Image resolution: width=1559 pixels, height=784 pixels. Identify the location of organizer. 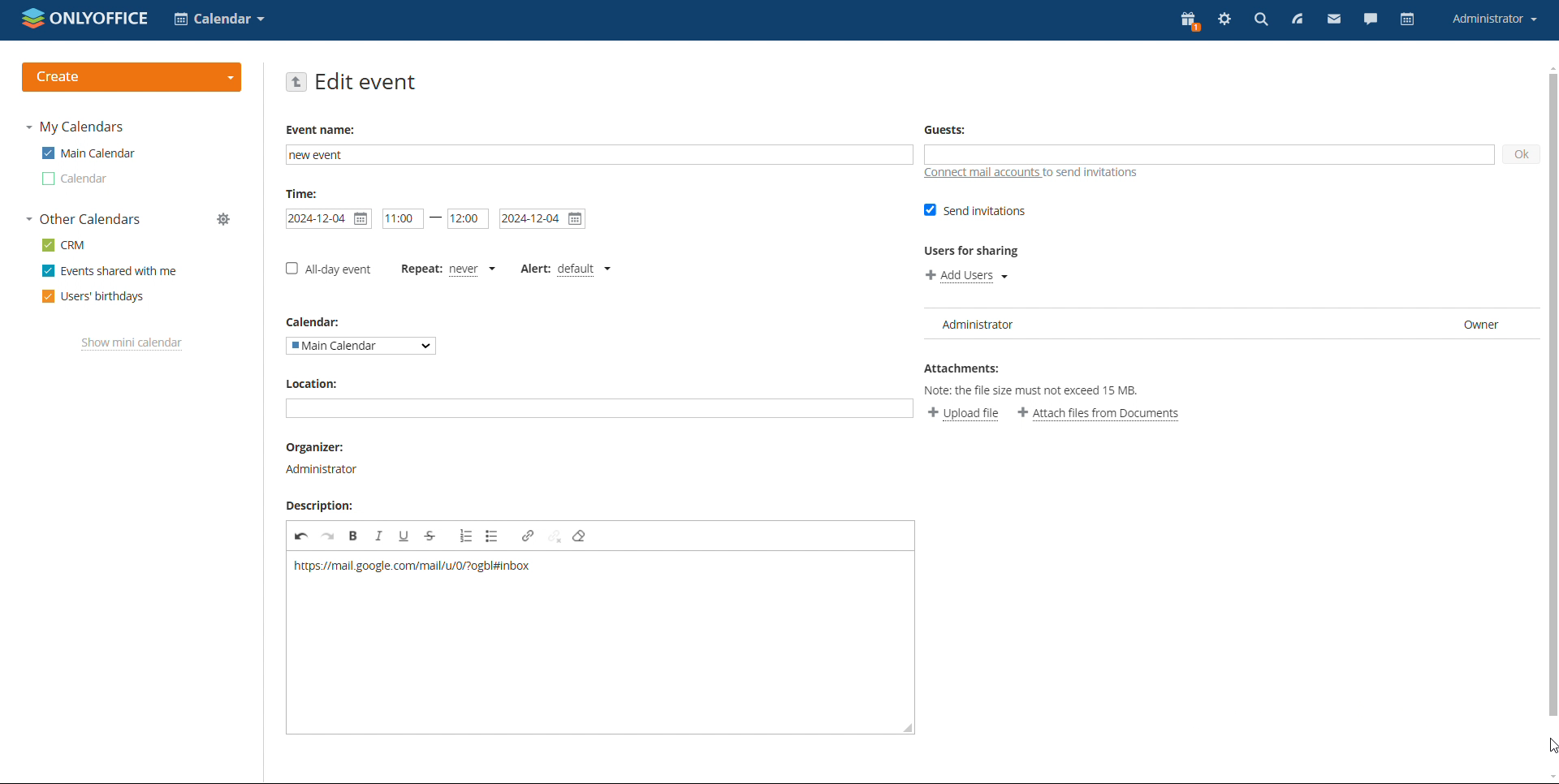
(323, 459).